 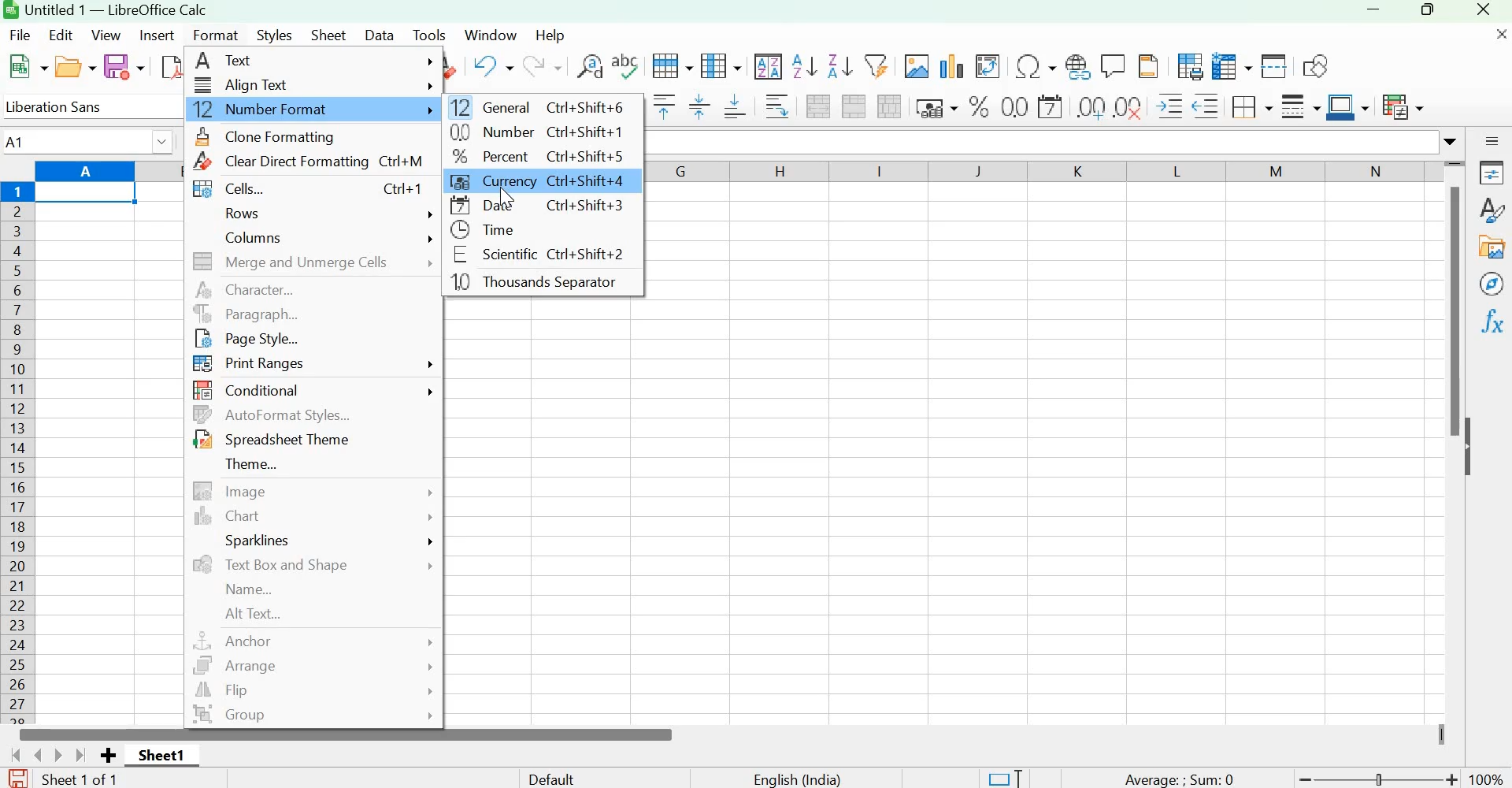 I want to click on Redo, so click(x=541, y=67).